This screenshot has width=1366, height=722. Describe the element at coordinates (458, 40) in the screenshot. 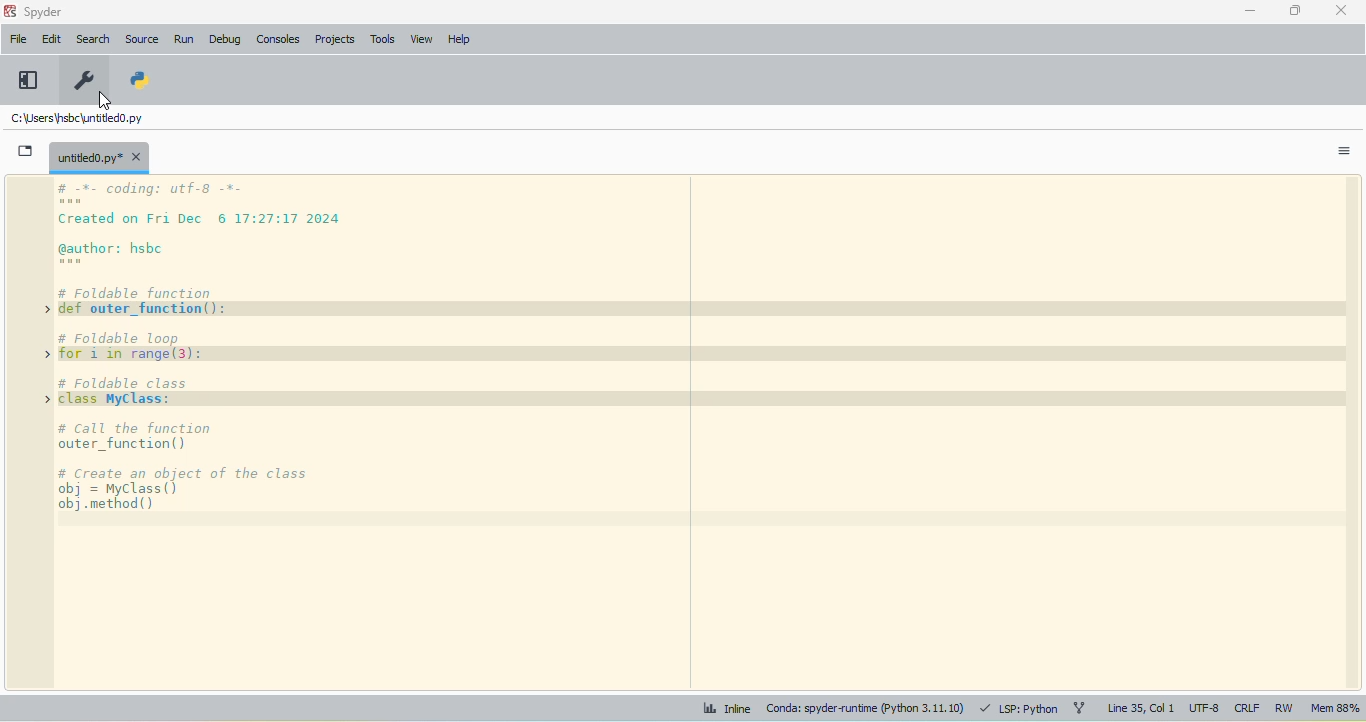

I see `help` at that location.